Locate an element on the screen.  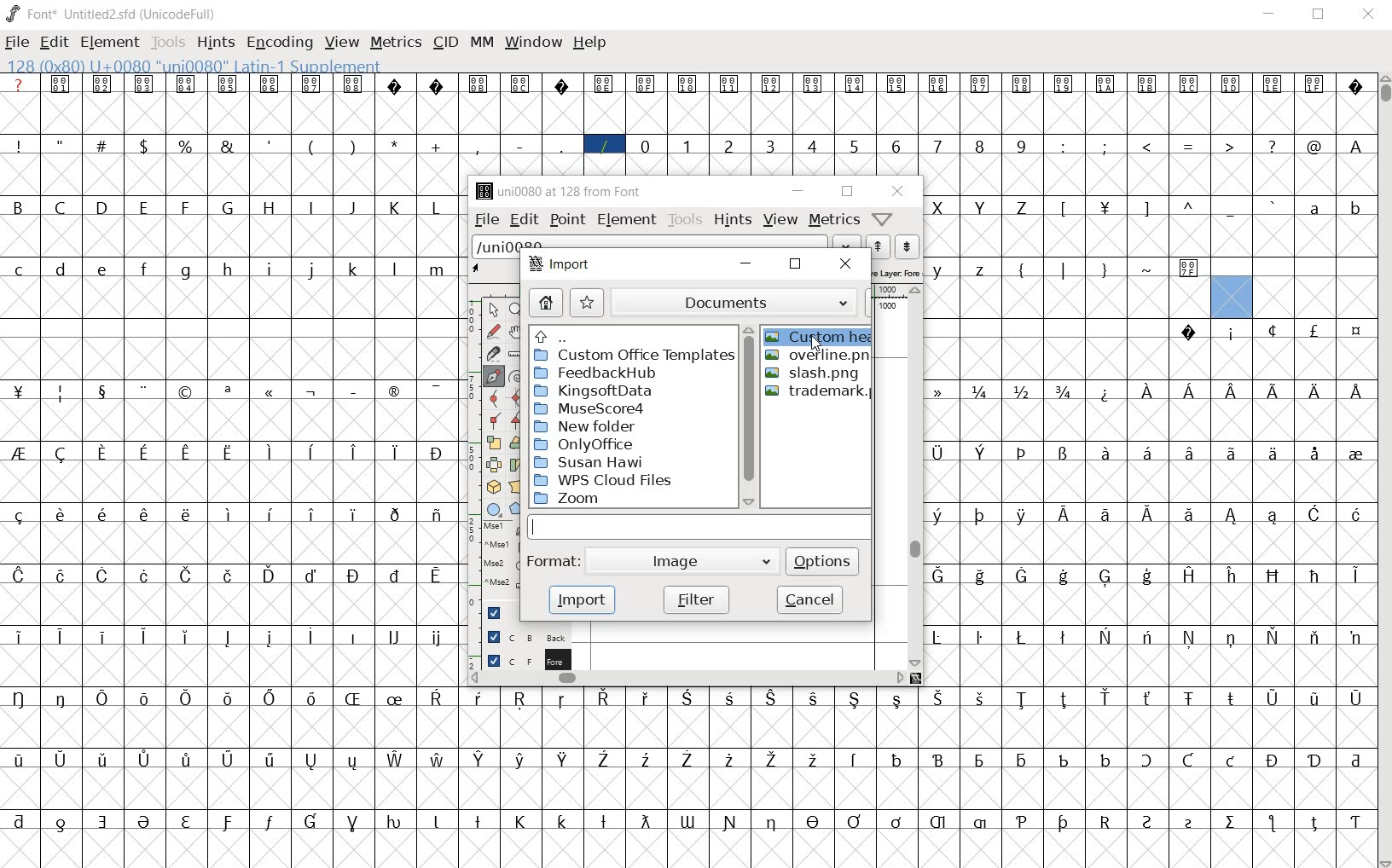
load word list is located at coordinates (650, 243).